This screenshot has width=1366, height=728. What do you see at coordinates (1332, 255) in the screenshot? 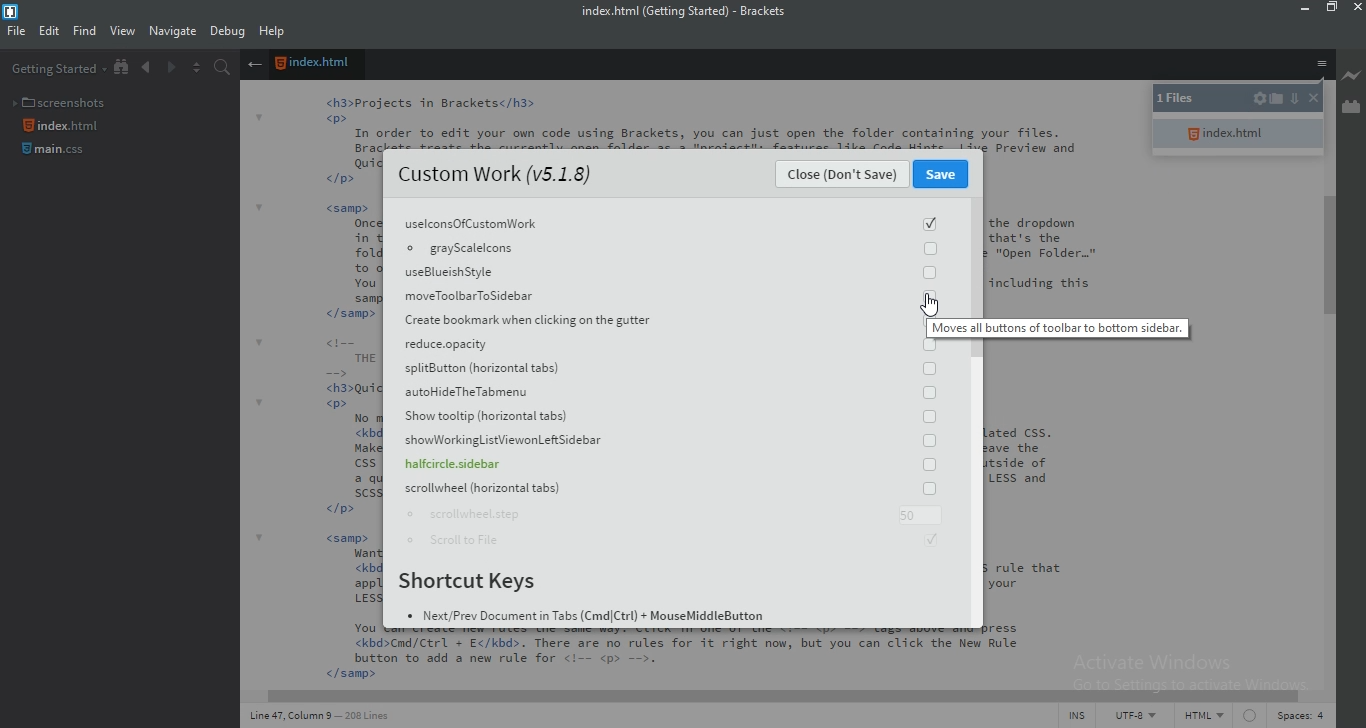
I see `scroll bar` at bounding box center [1332, 255].